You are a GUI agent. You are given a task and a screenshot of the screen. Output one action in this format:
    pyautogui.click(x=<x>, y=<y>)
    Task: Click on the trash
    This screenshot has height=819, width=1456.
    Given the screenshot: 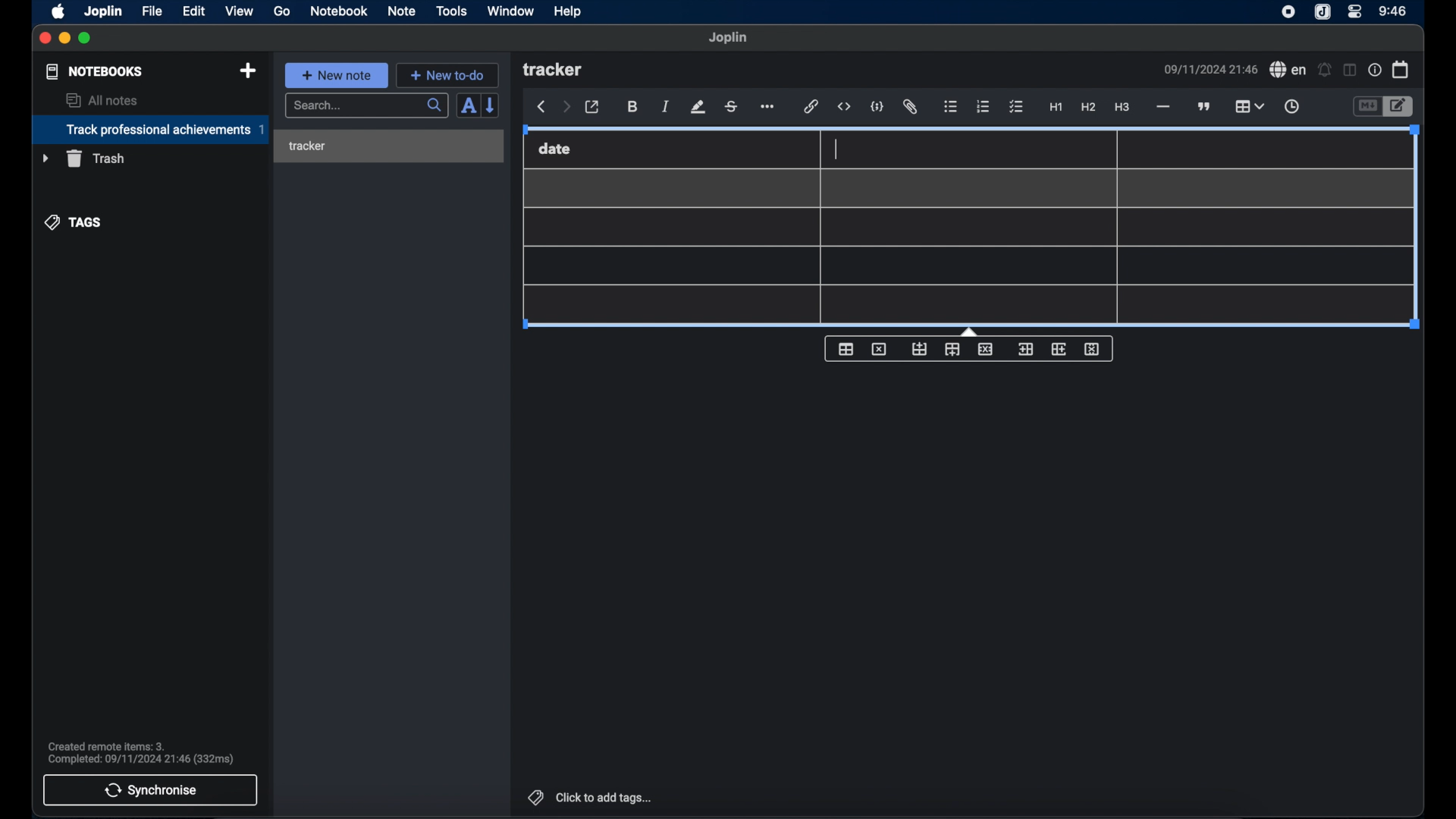 What is the action you would take?
    pyautogui.click(x=83, y=158)
    